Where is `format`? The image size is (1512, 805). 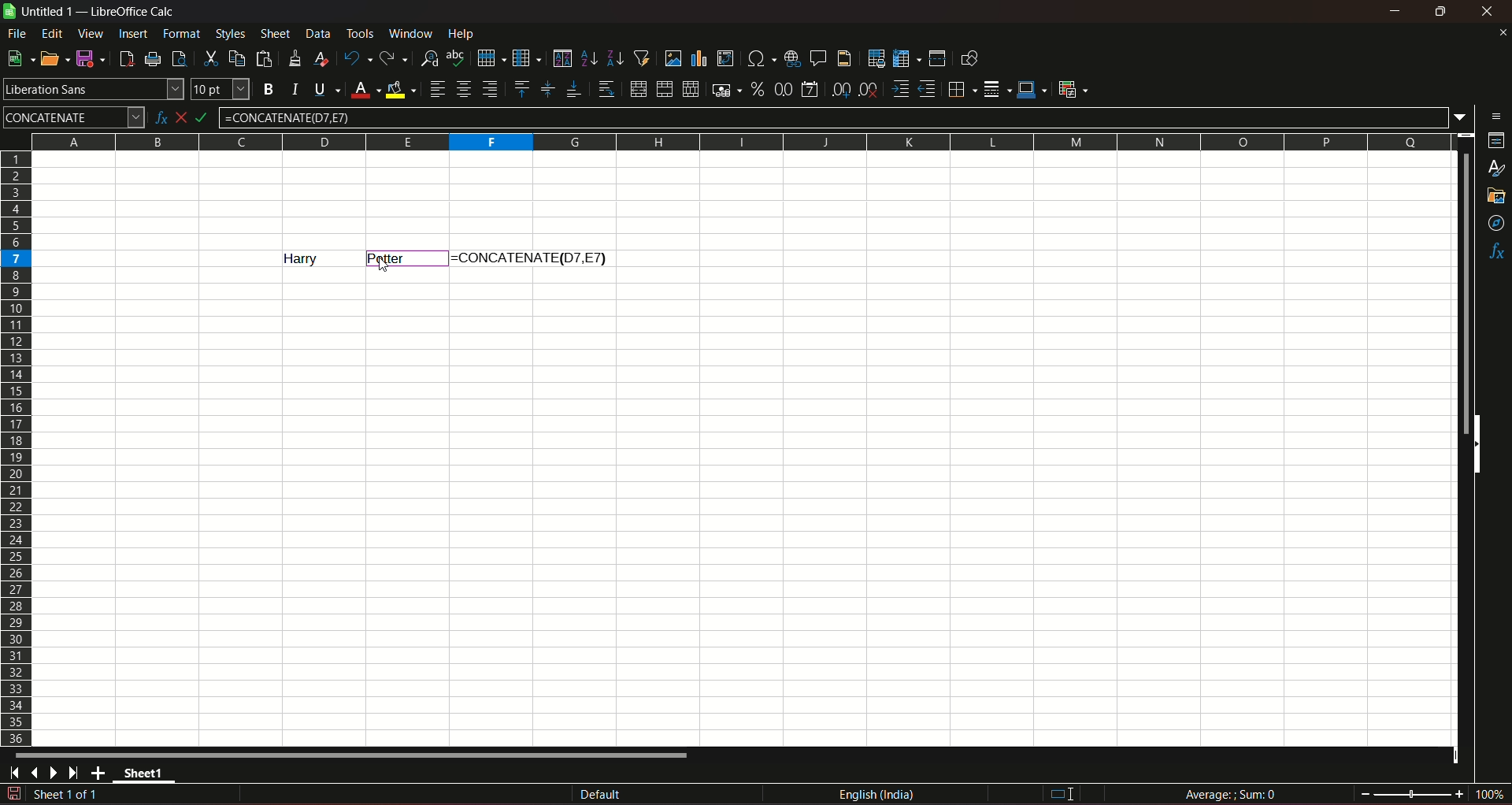
format is located at coordinates (183, 33).